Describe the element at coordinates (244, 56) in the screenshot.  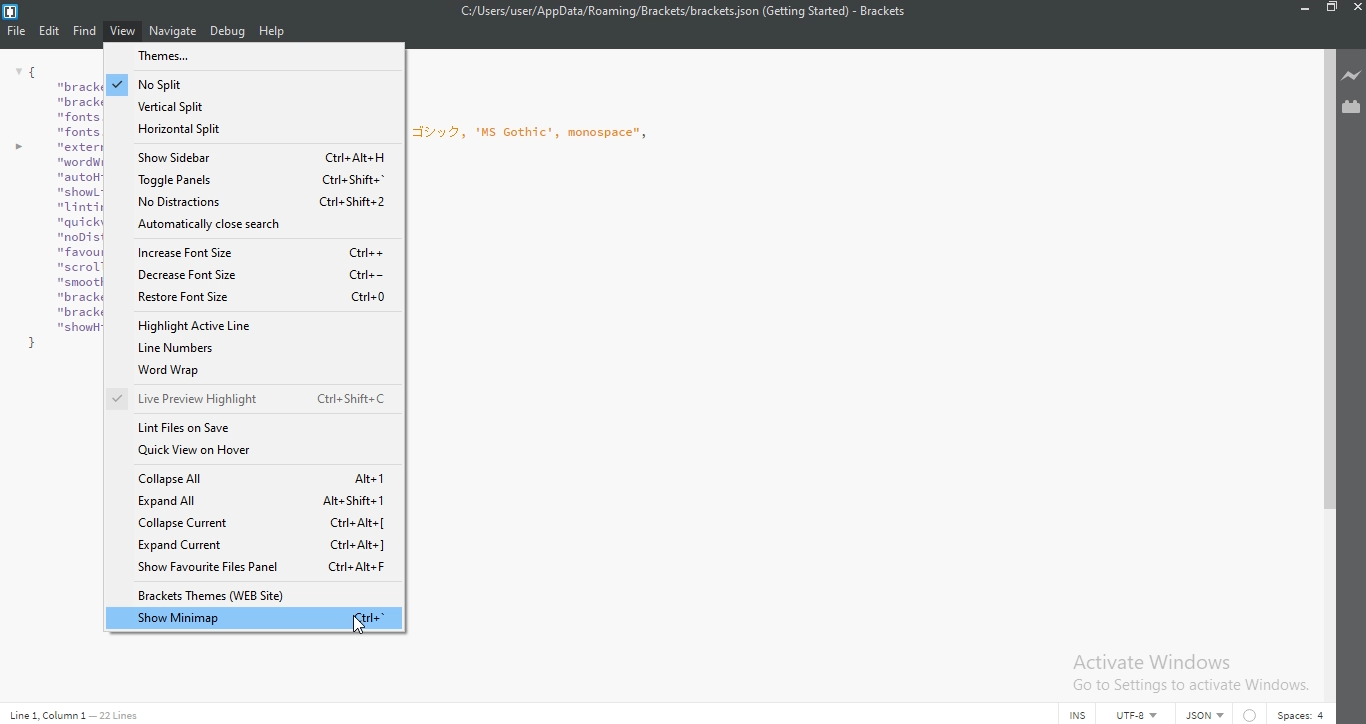
I see `themes` at that location.